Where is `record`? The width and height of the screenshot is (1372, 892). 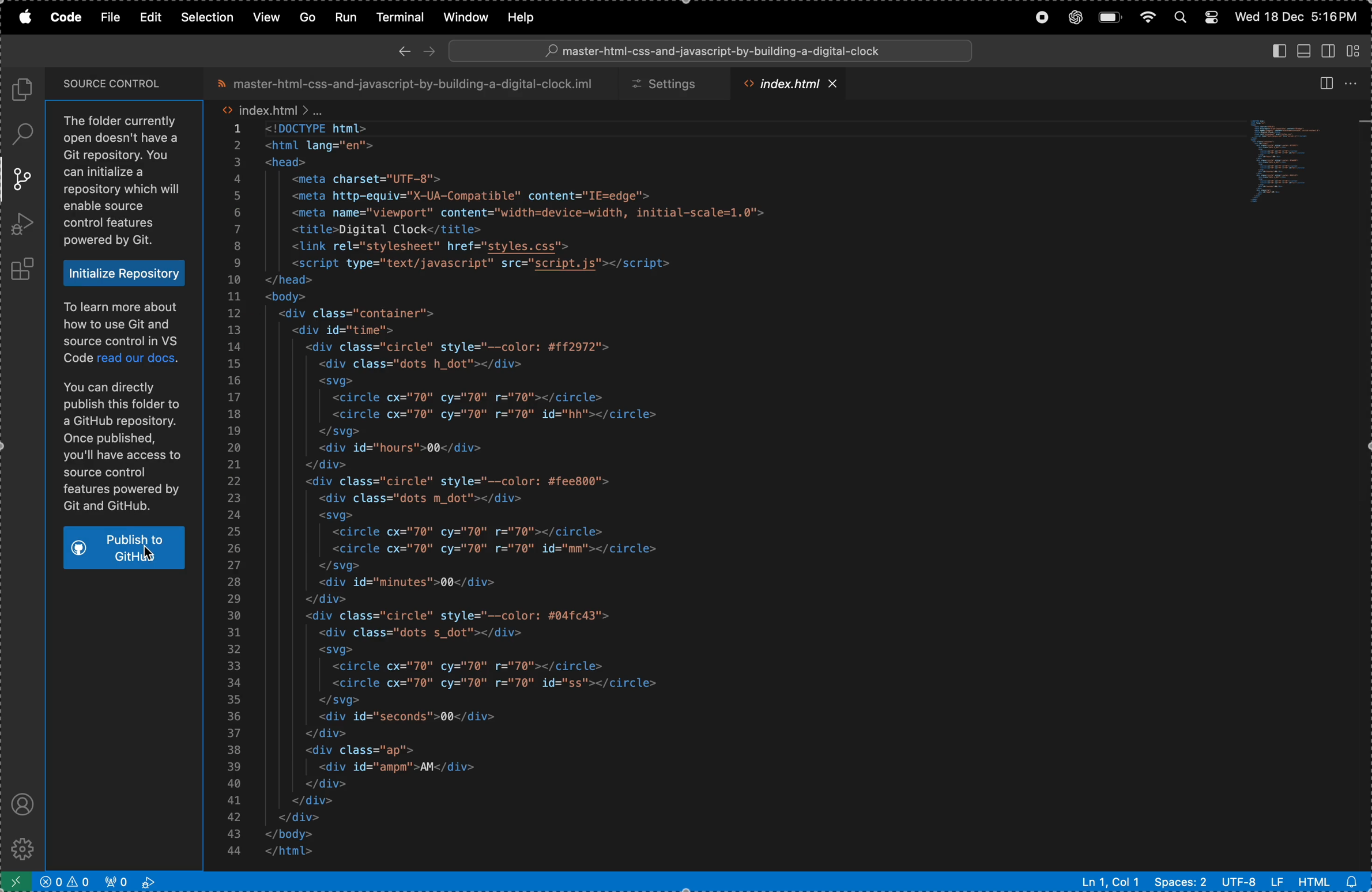
record is located at coordinates (1041, 18).